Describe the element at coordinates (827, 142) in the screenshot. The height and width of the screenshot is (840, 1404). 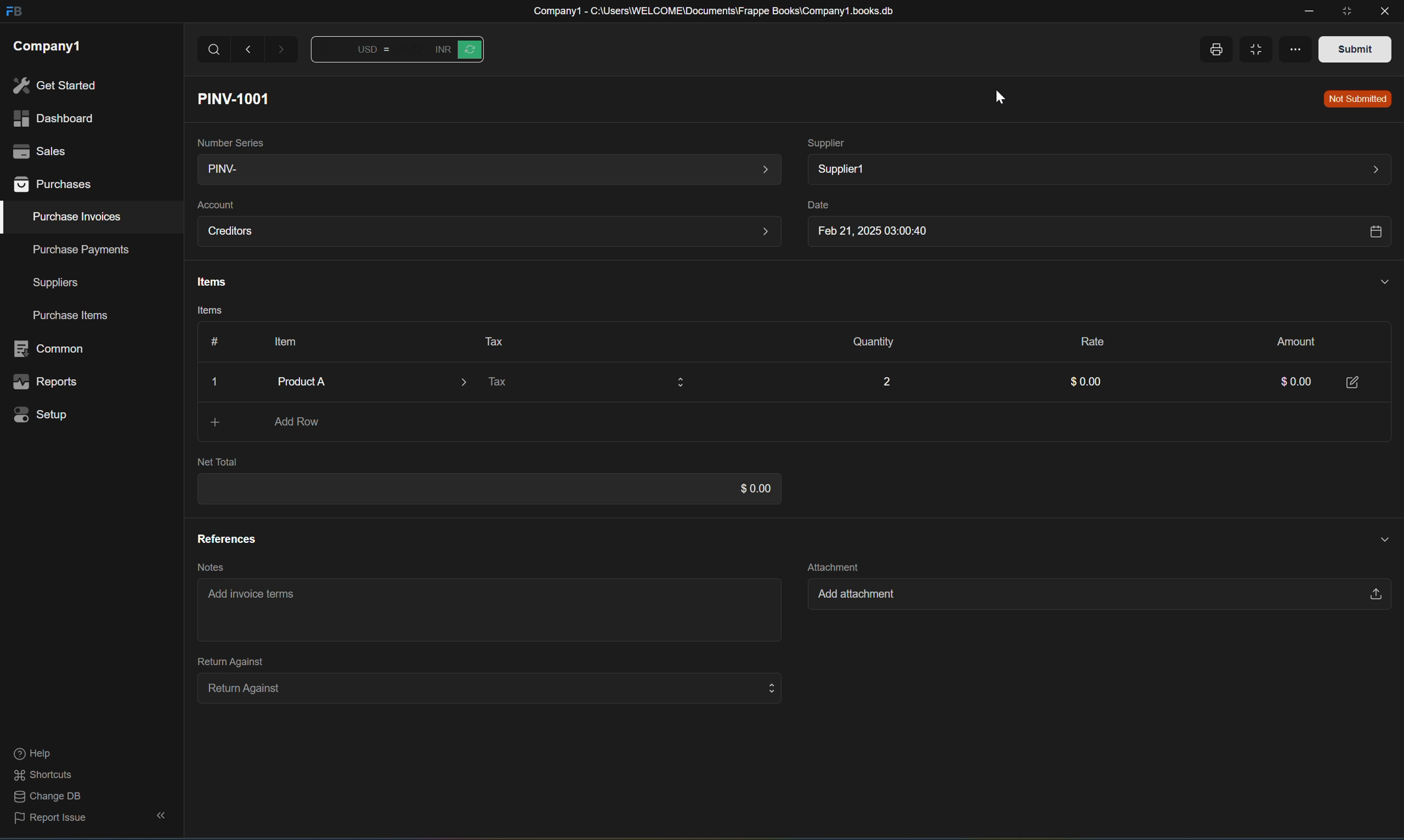
I see `Supplier` at that location.